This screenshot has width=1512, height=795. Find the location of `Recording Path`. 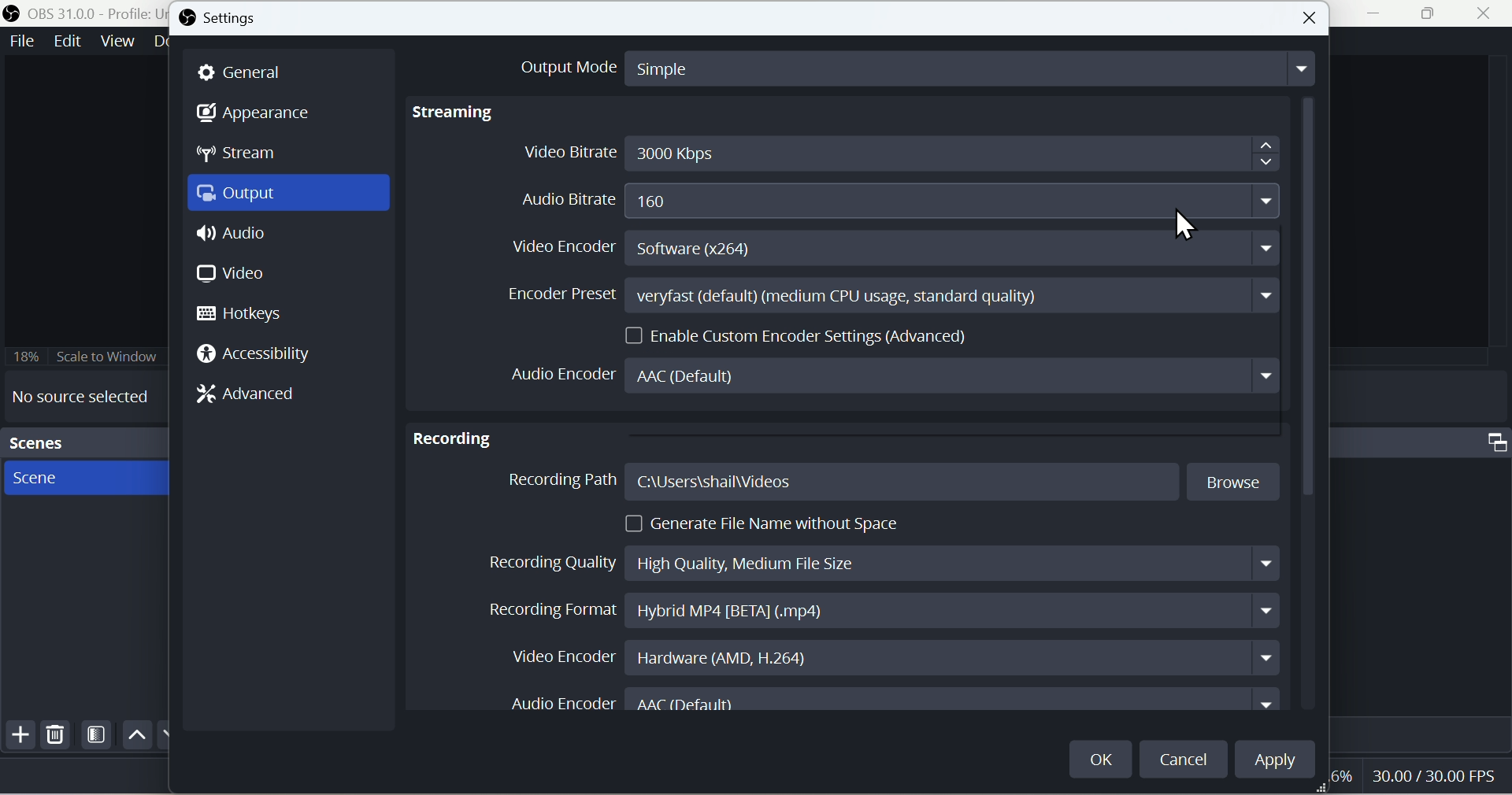

Recording Path is located at coordinates (894, 483).